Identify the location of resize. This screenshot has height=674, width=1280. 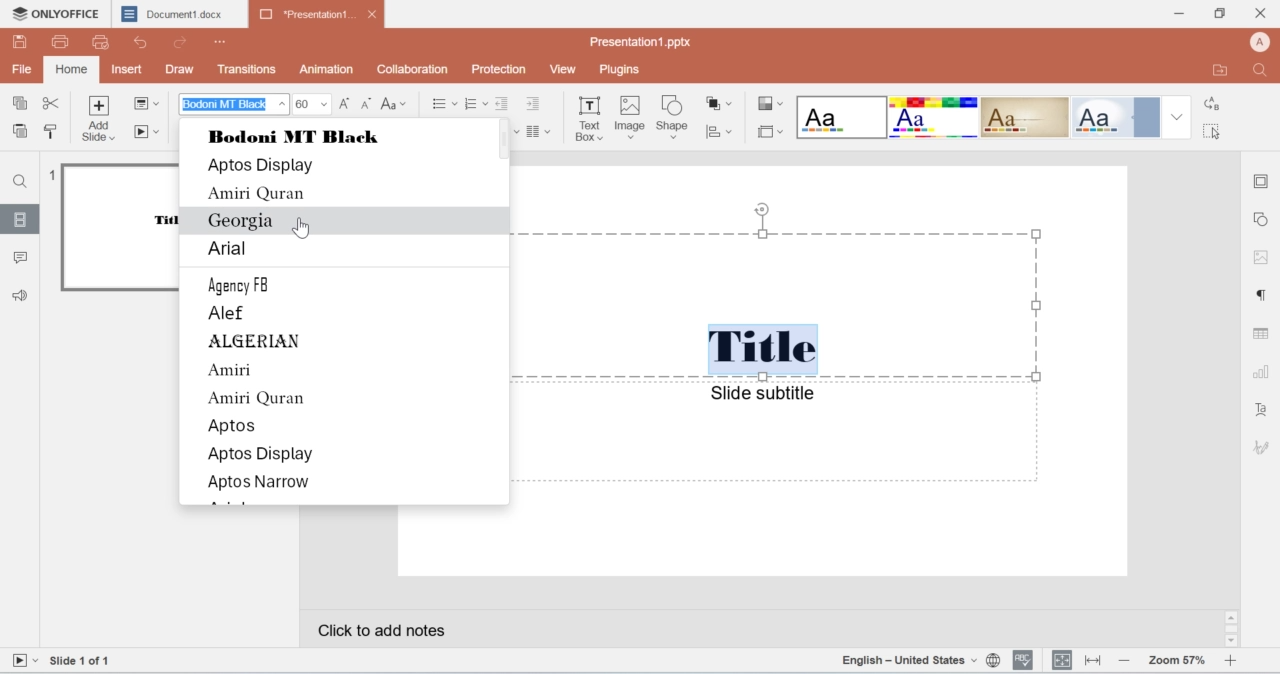
(1091, 662).